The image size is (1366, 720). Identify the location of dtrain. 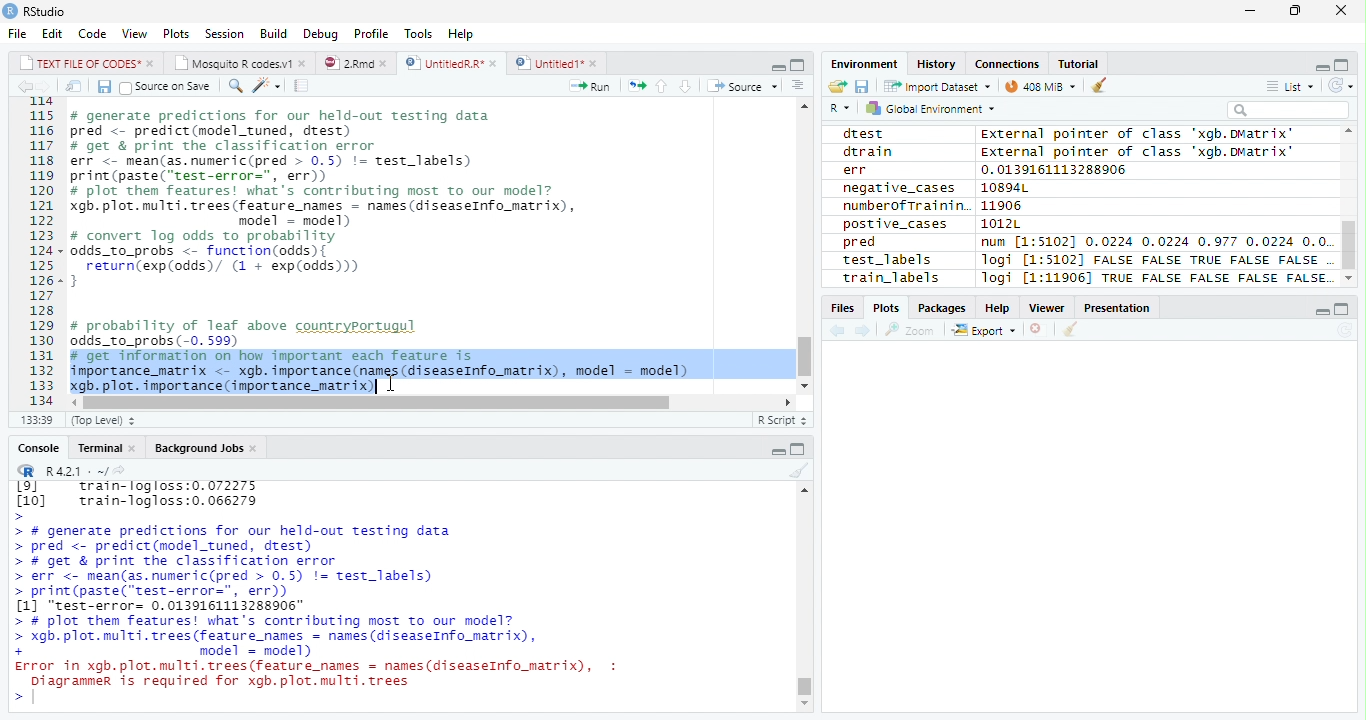
(867, 152).